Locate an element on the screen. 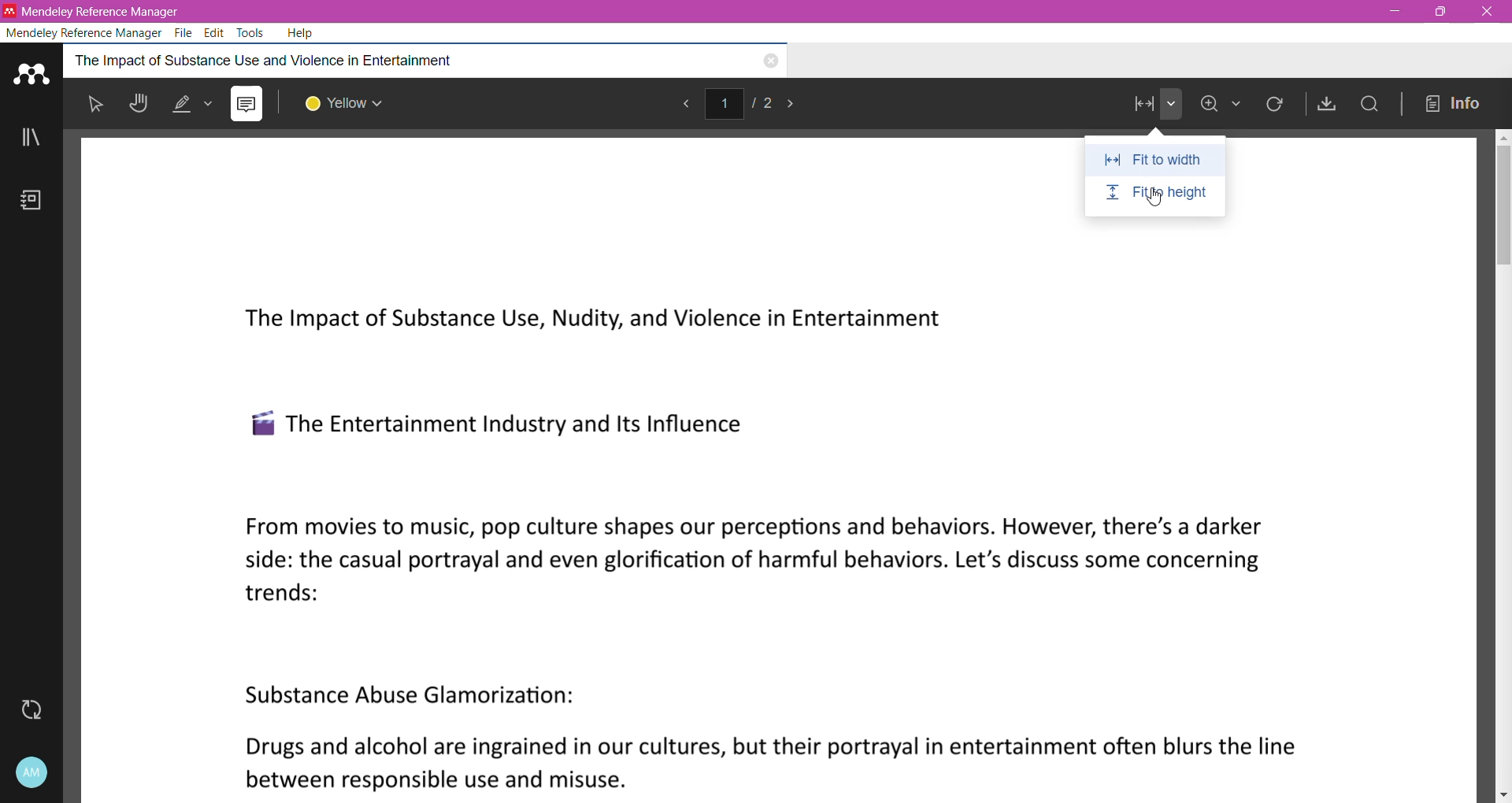  Minimize is located at coordinates (1395, 12).